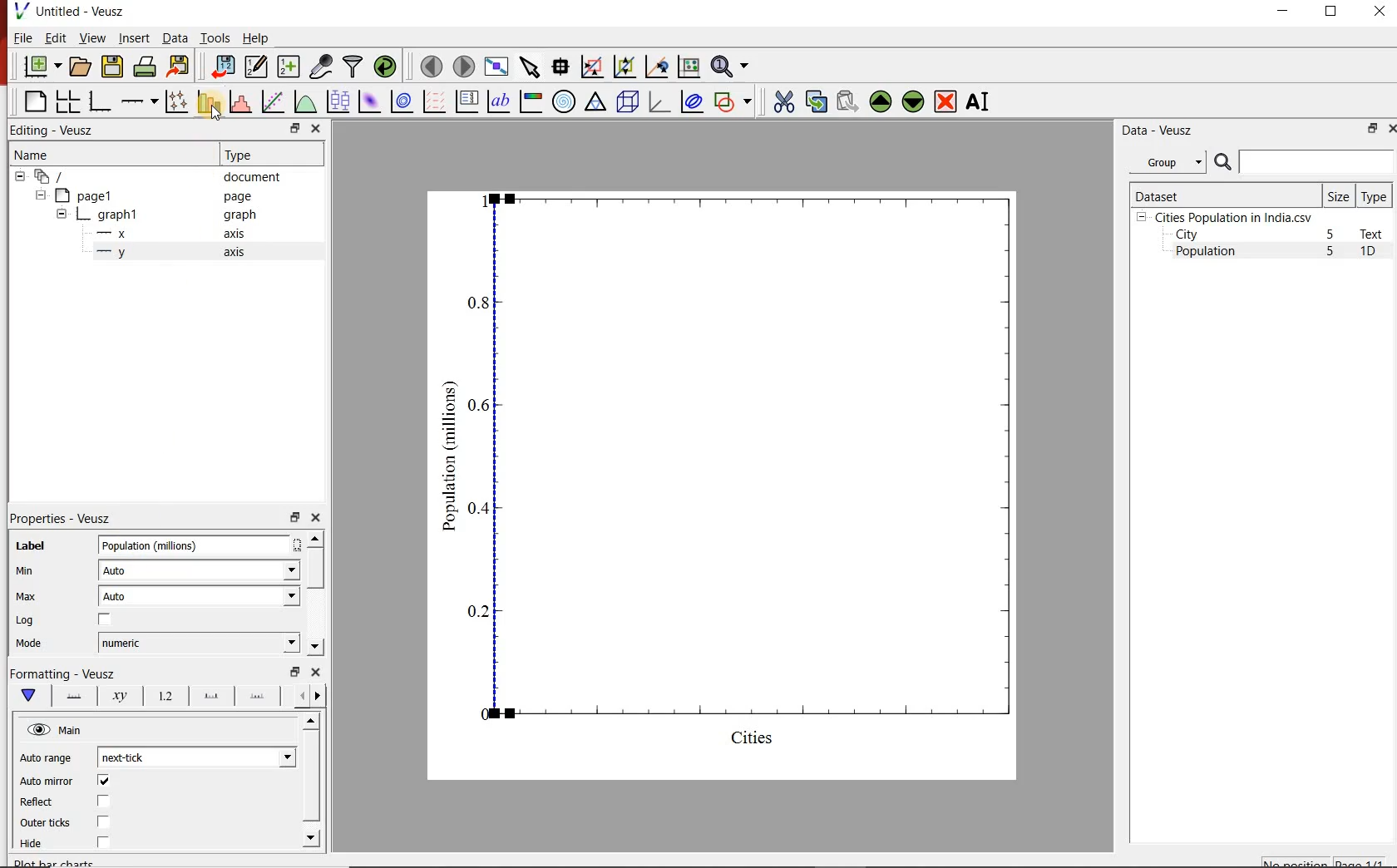 The image size is (1397, 868). I want to click on plot box plots, so click(337, 101).